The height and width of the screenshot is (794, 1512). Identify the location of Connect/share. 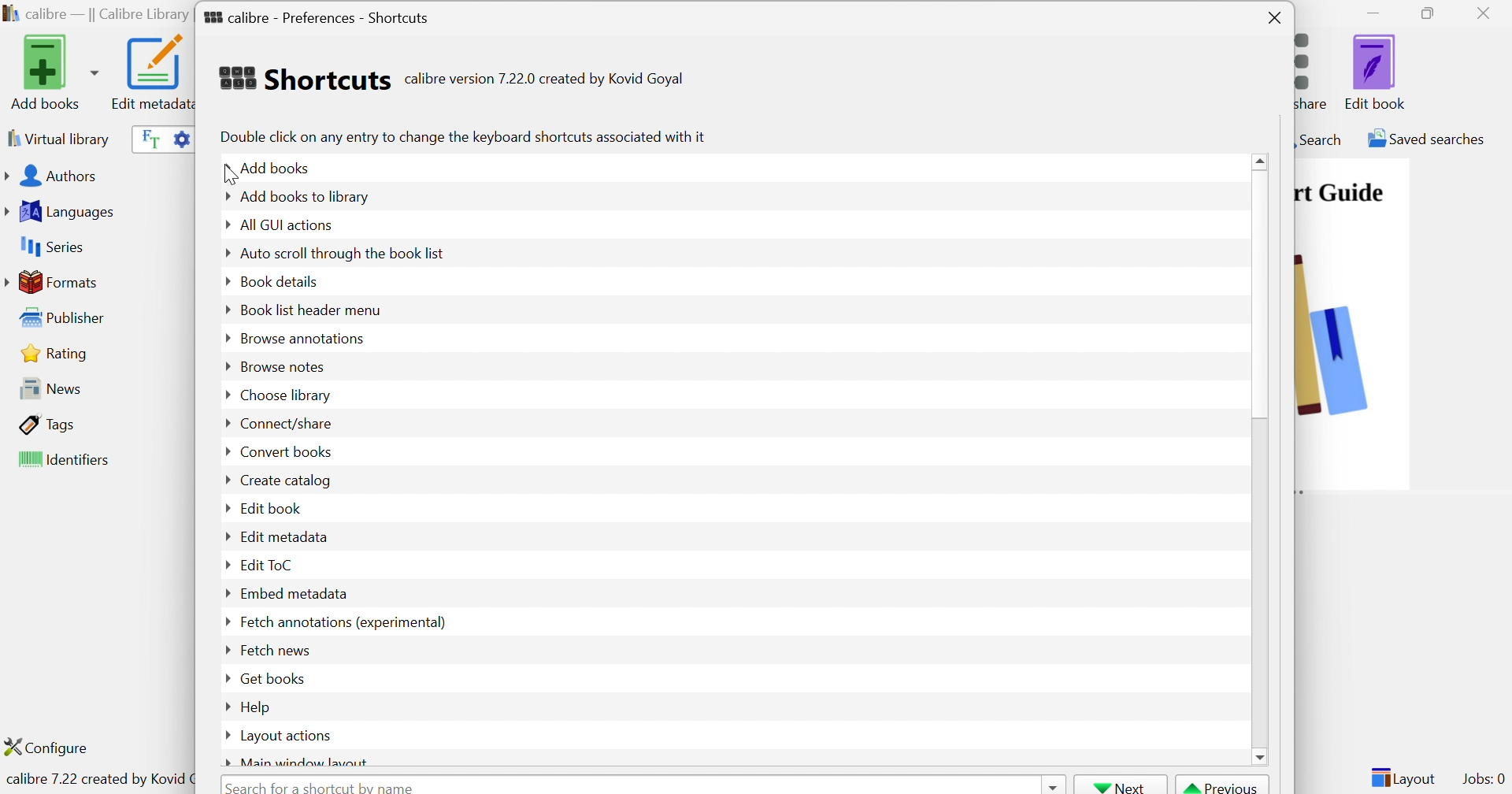
(1316, 68).